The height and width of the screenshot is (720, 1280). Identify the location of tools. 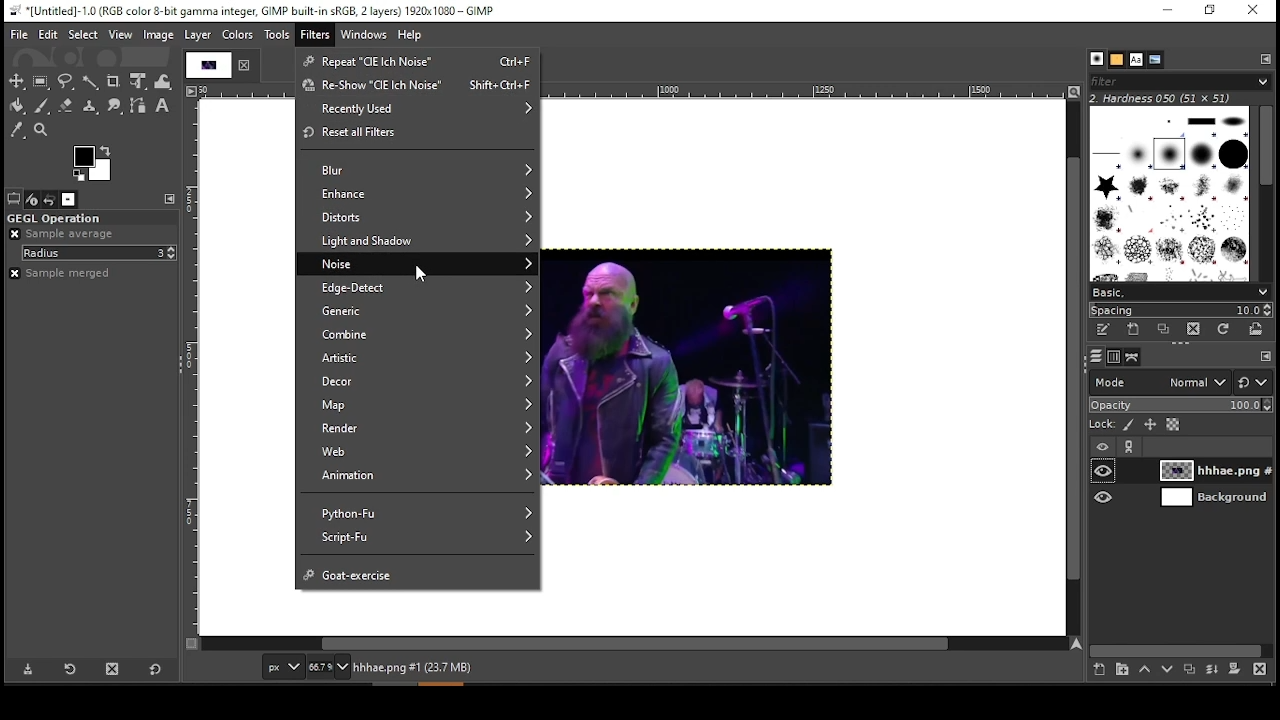
(277, 37).